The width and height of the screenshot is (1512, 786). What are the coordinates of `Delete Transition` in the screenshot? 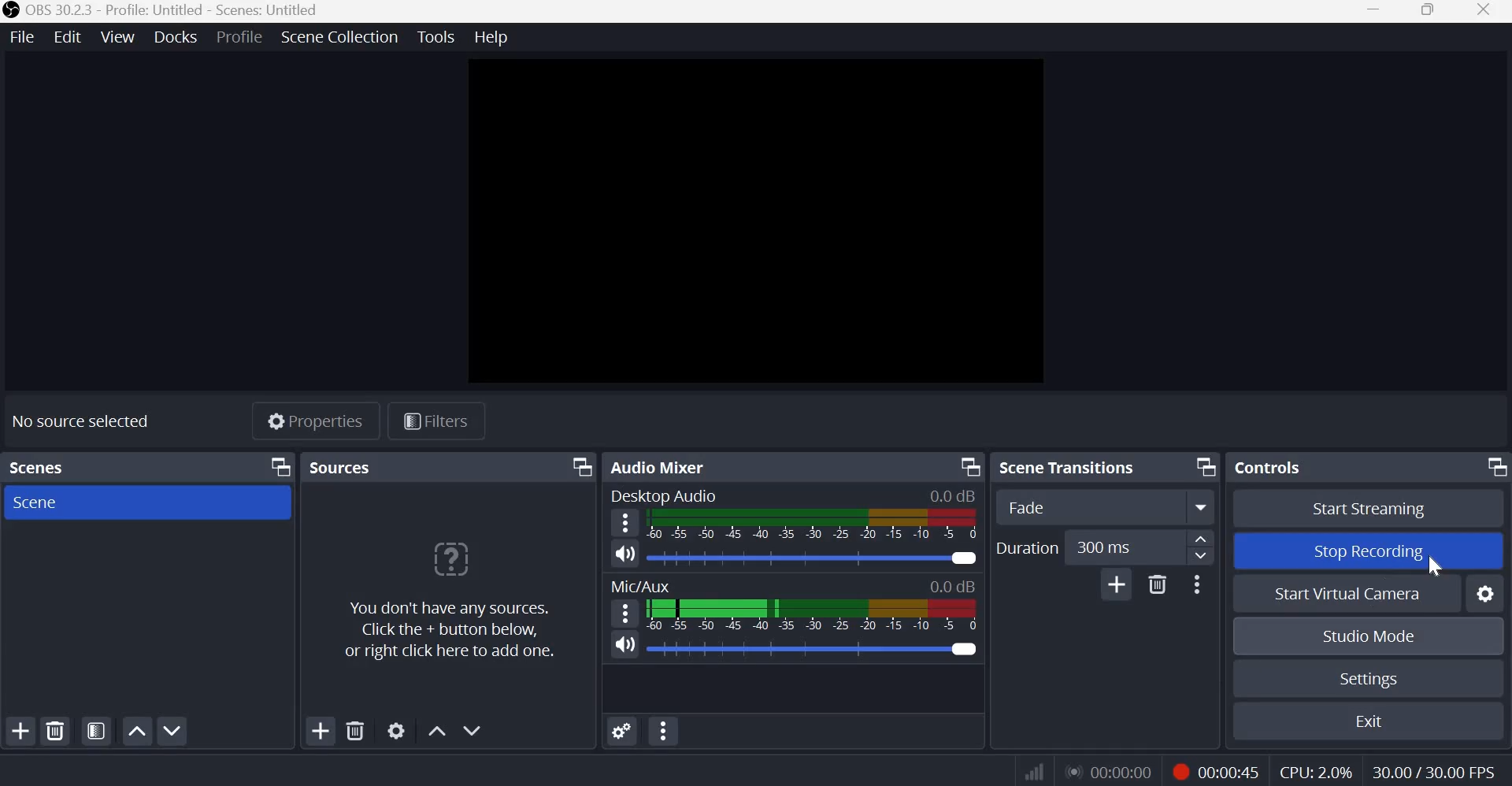 It's located at (1157, 584).